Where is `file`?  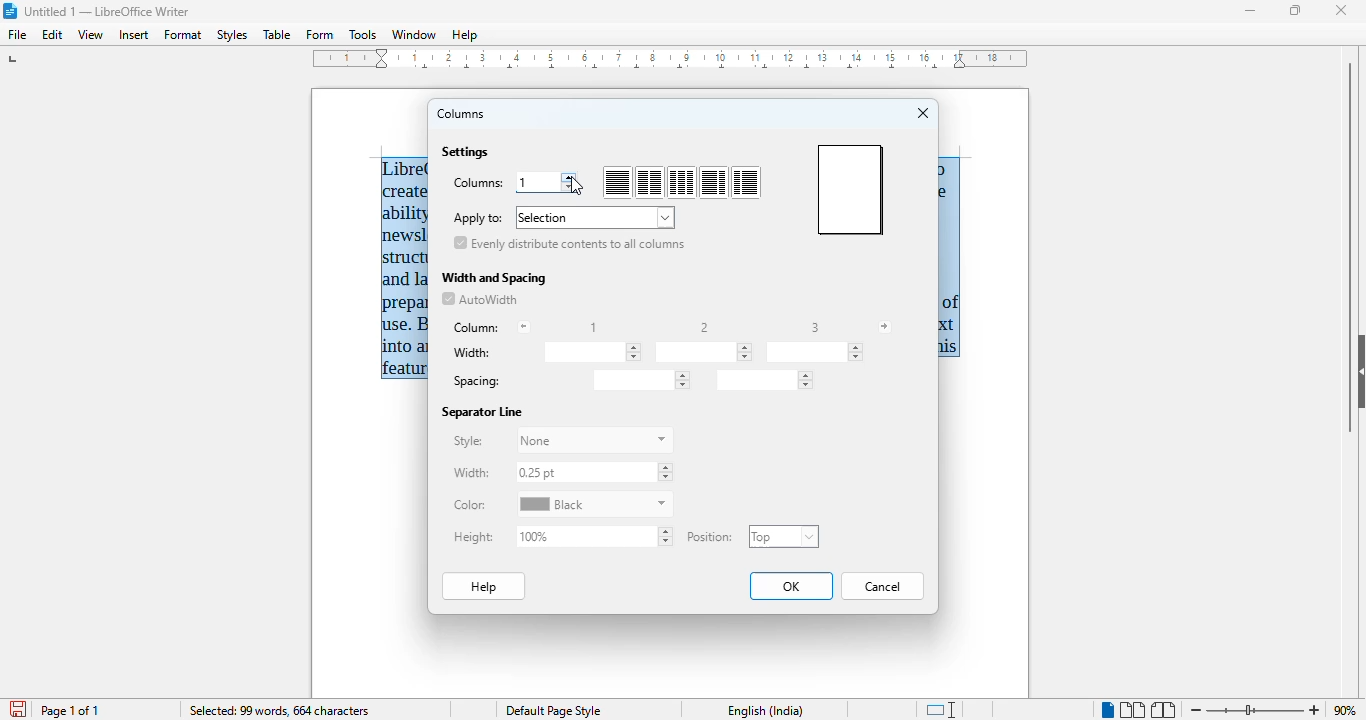 file is located at coordinates (19, 35).